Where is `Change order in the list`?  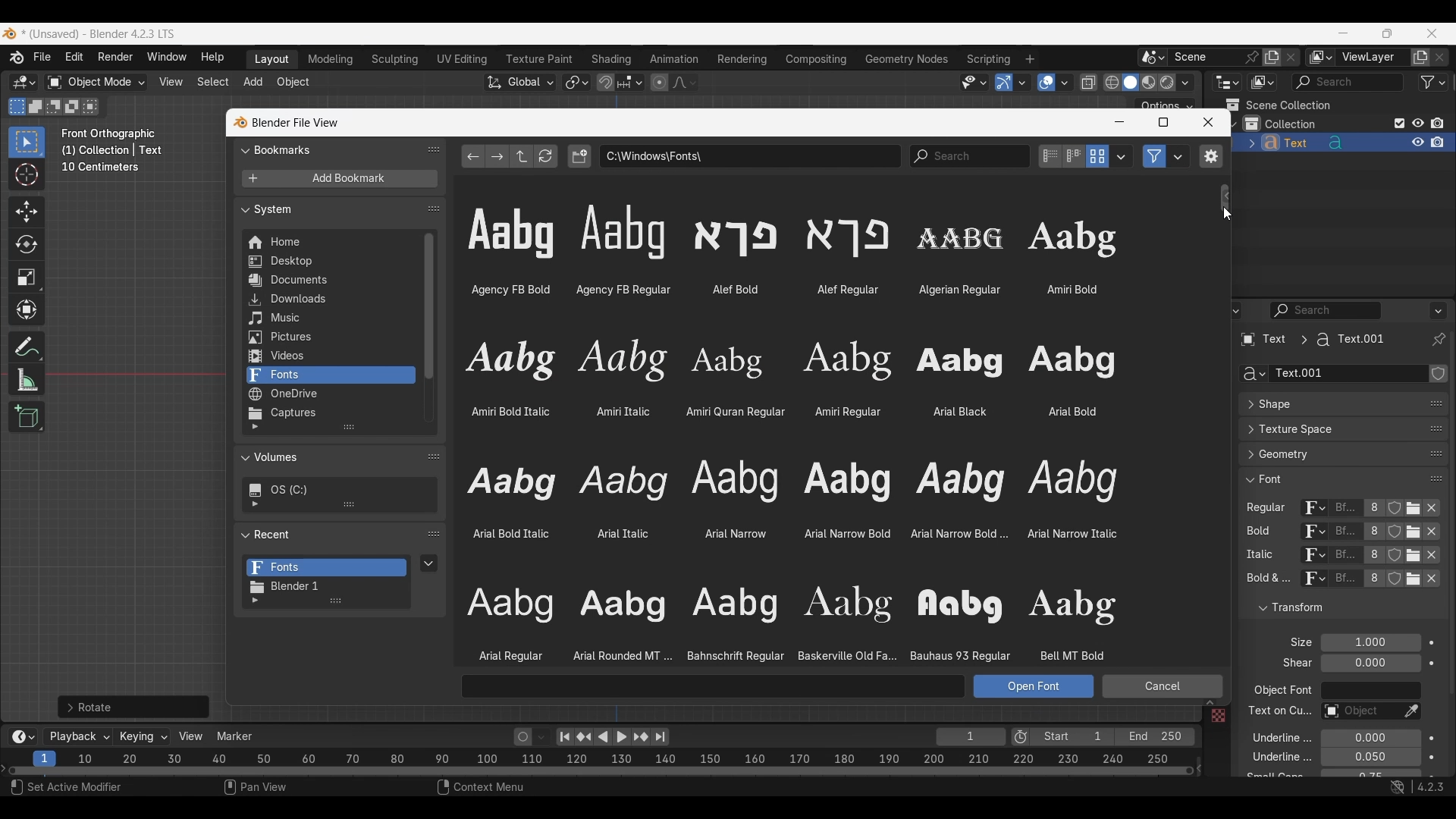 Change order in the list is located at coordinates (1437, 601).